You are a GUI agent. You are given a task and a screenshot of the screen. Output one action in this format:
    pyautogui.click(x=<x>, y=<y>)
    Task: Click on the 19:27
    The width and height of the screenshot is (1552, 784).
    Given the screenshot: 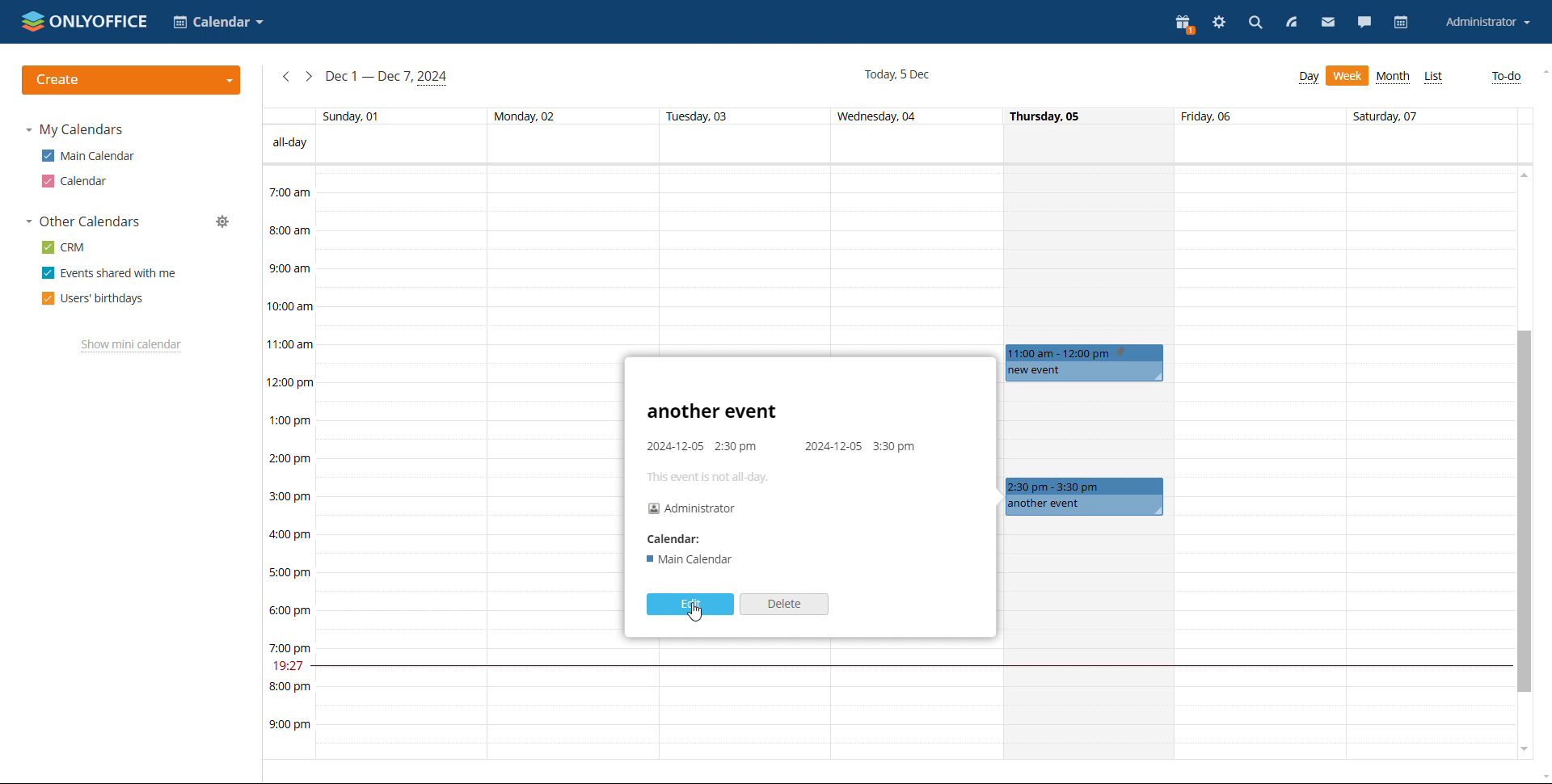 What is the action you would take?
    pyautogui.click(x=285, y=665)
    